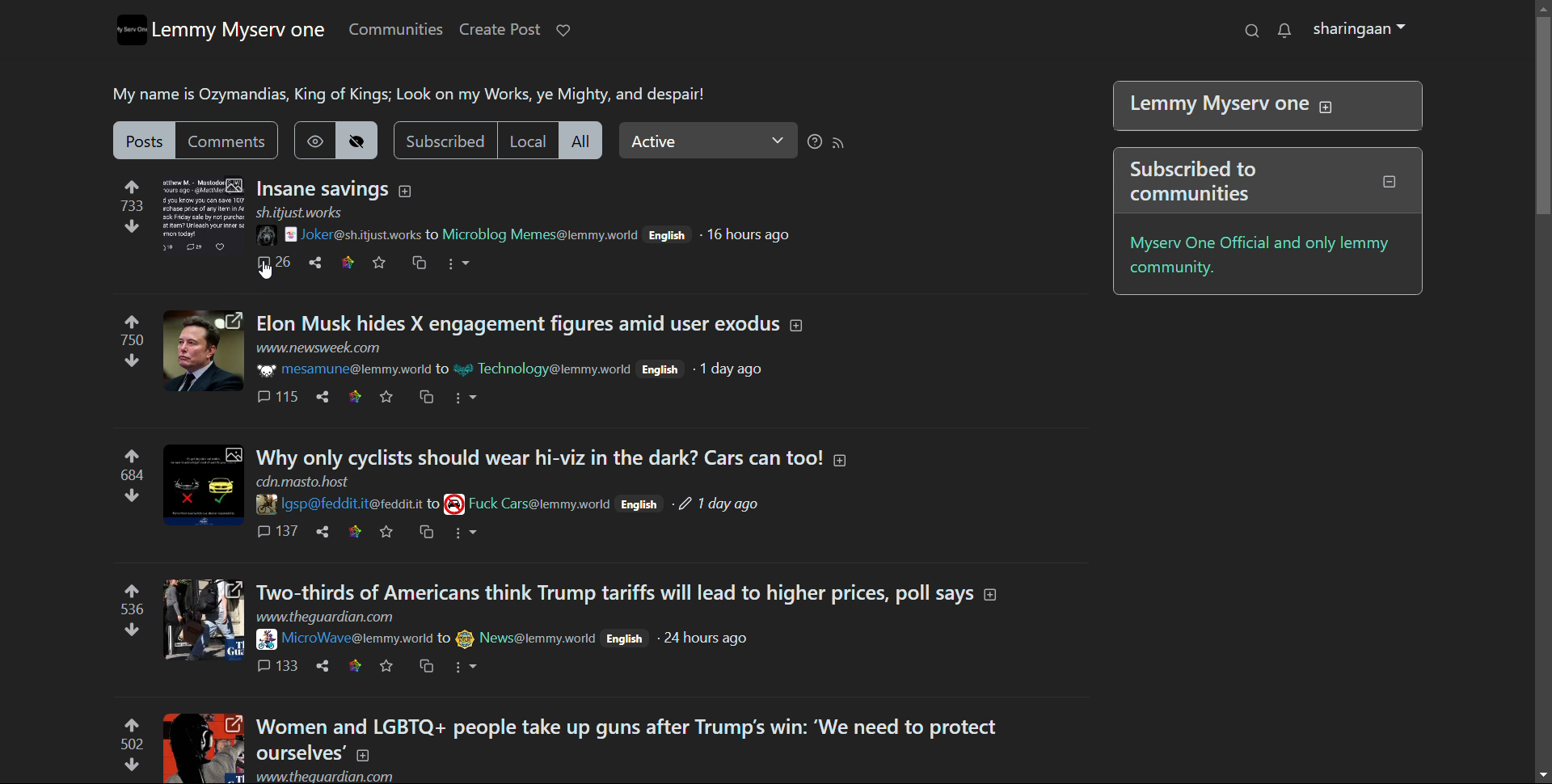 The image size is (1552, 784). Describe the element at coordinates (661, 369) in the screenshot. I see `English` at that location.